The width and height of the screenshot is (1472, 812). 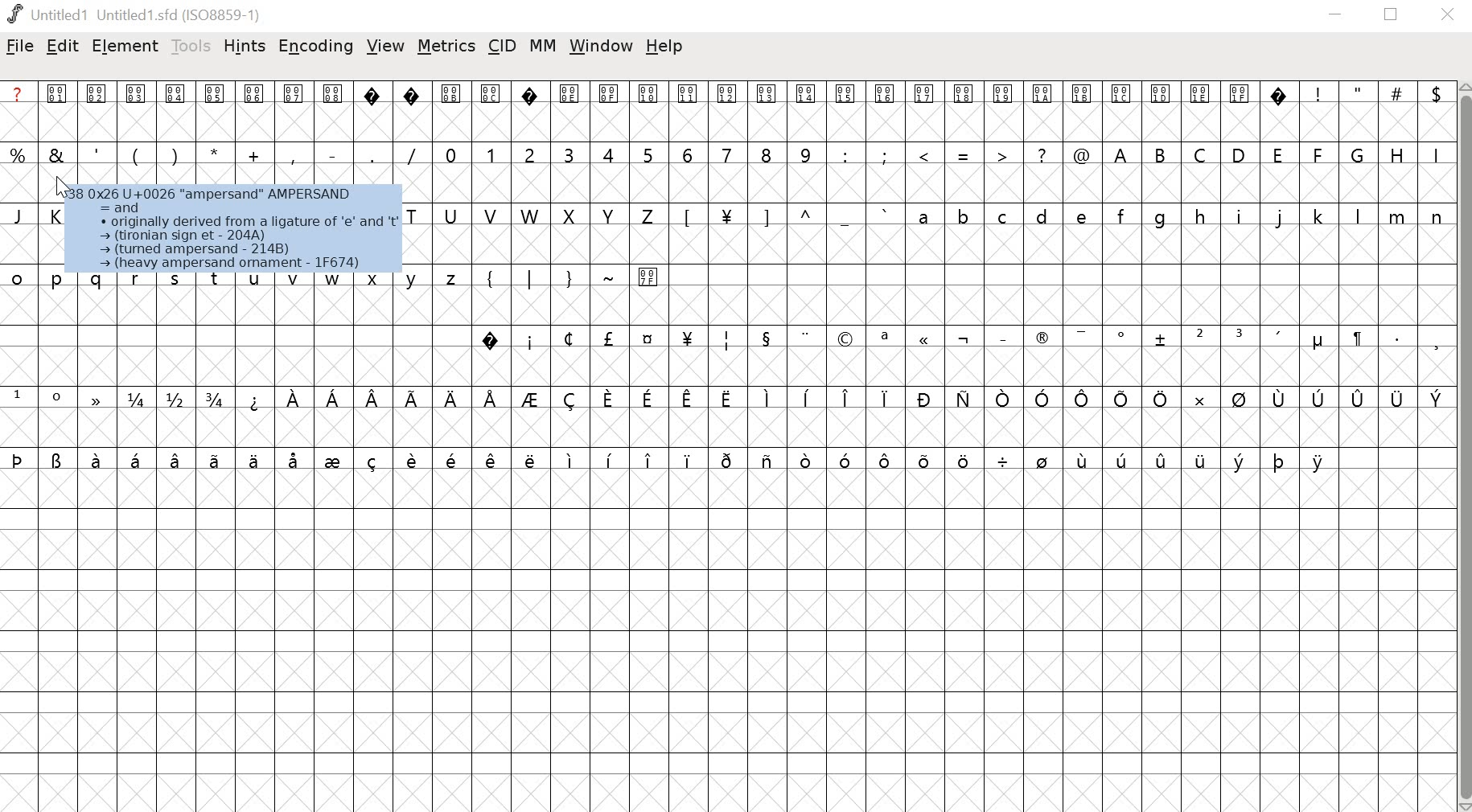 What do you see at coordinates (416, 214) in the screenshot?
I see `T` at bounding box center [416, 214].